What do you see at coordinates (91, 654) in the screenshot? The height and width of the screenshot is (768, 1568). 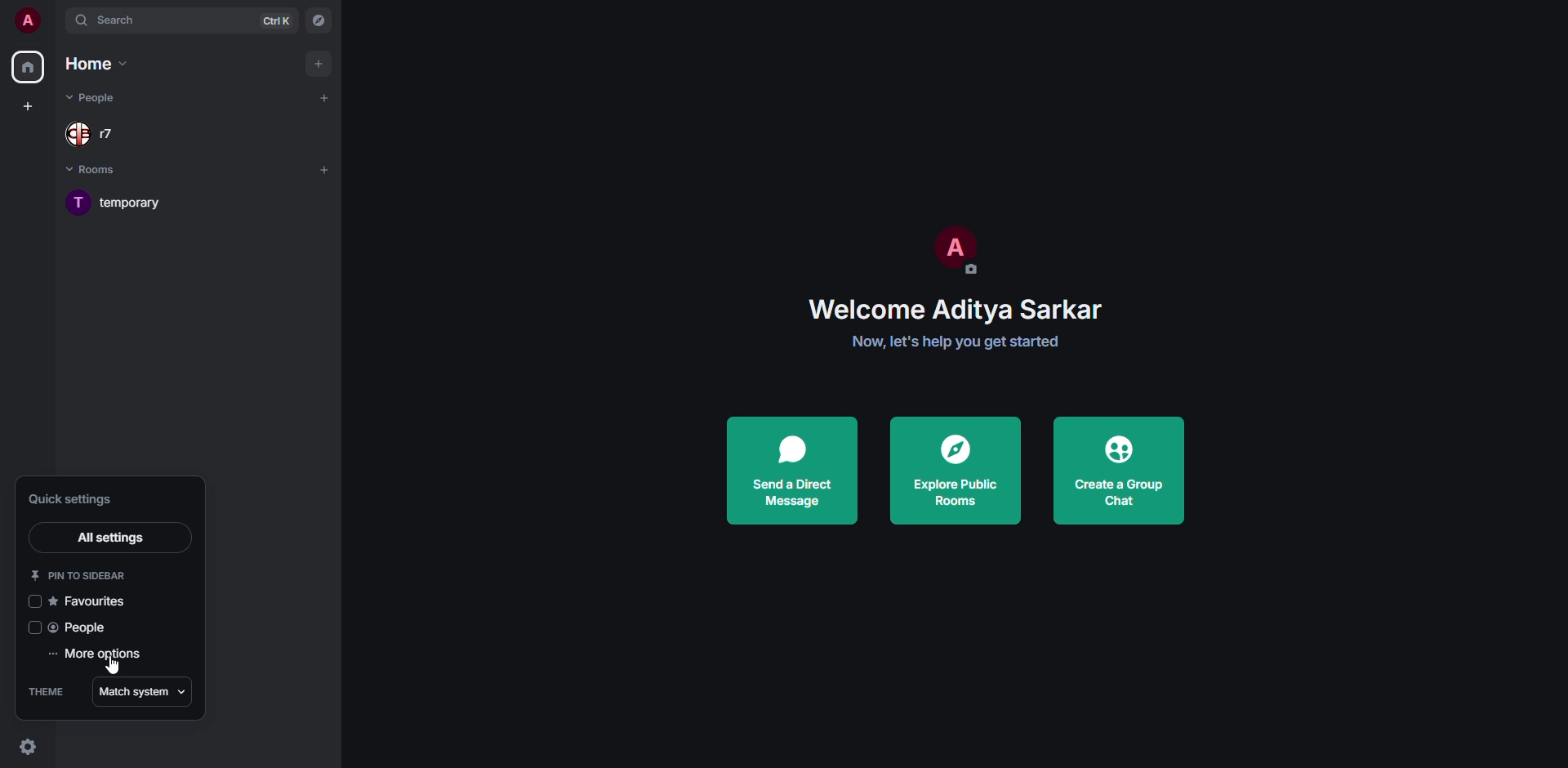 I see `more options` at bounding box center [91, 654].